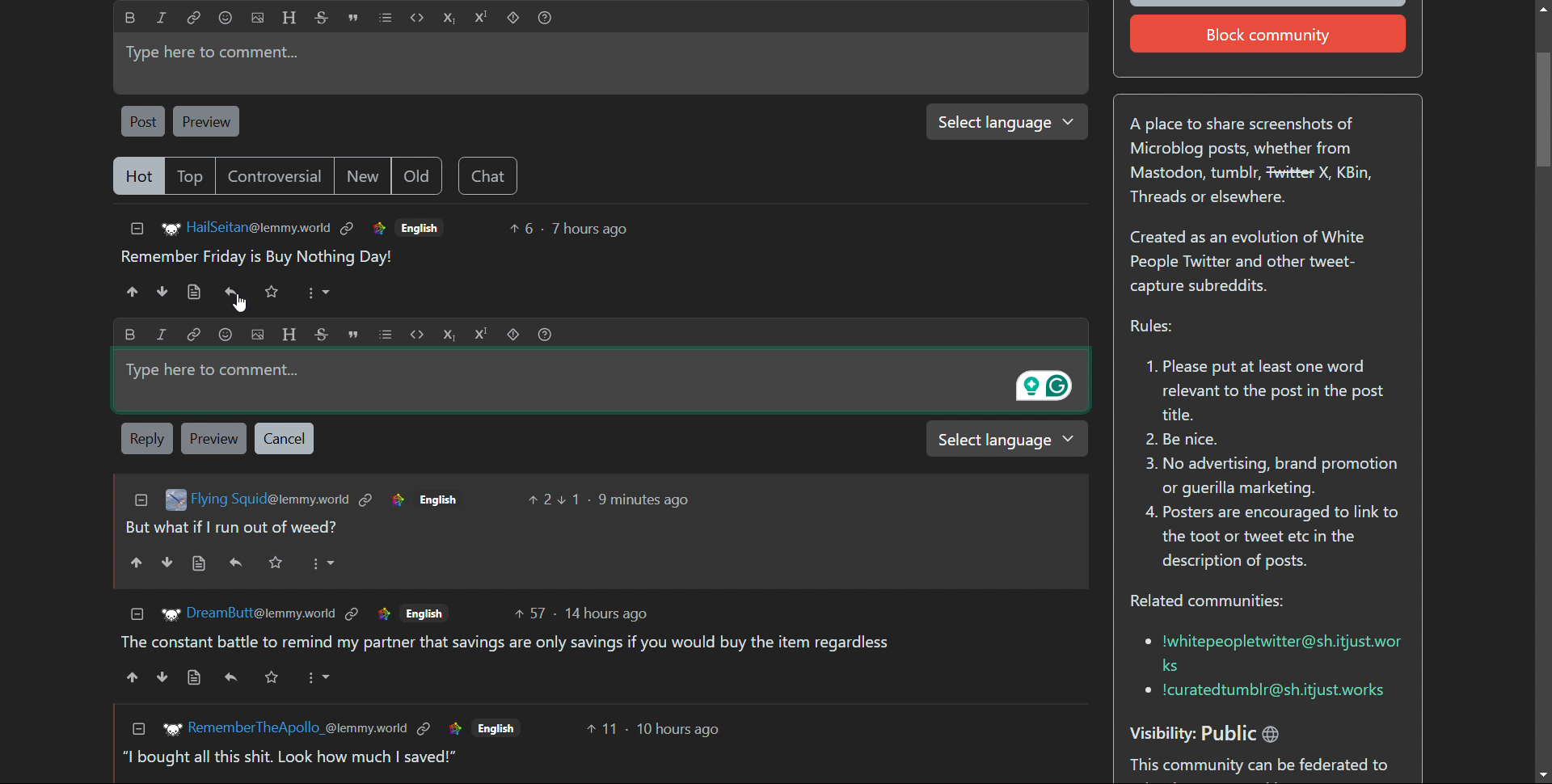 This screenshot has width=1552, height=784. I want to click on emoji, so click(225, 18).